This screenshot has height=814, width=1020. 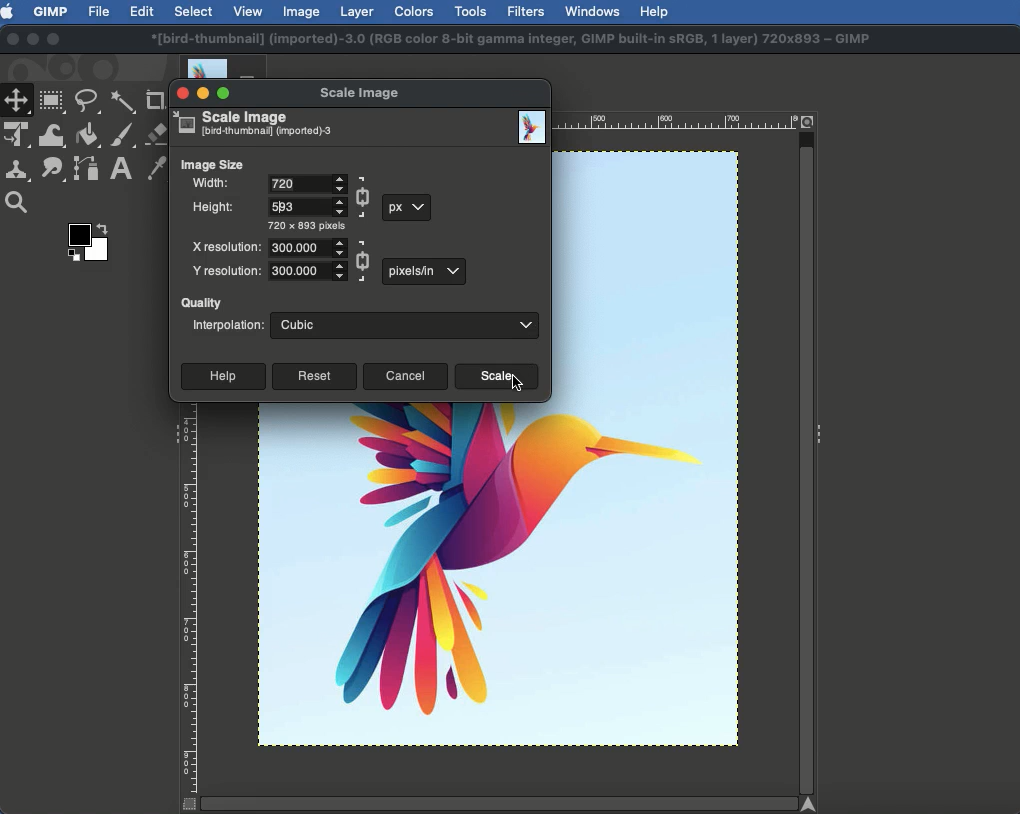 I want to click on Maximize, so click(x=224, y=95).